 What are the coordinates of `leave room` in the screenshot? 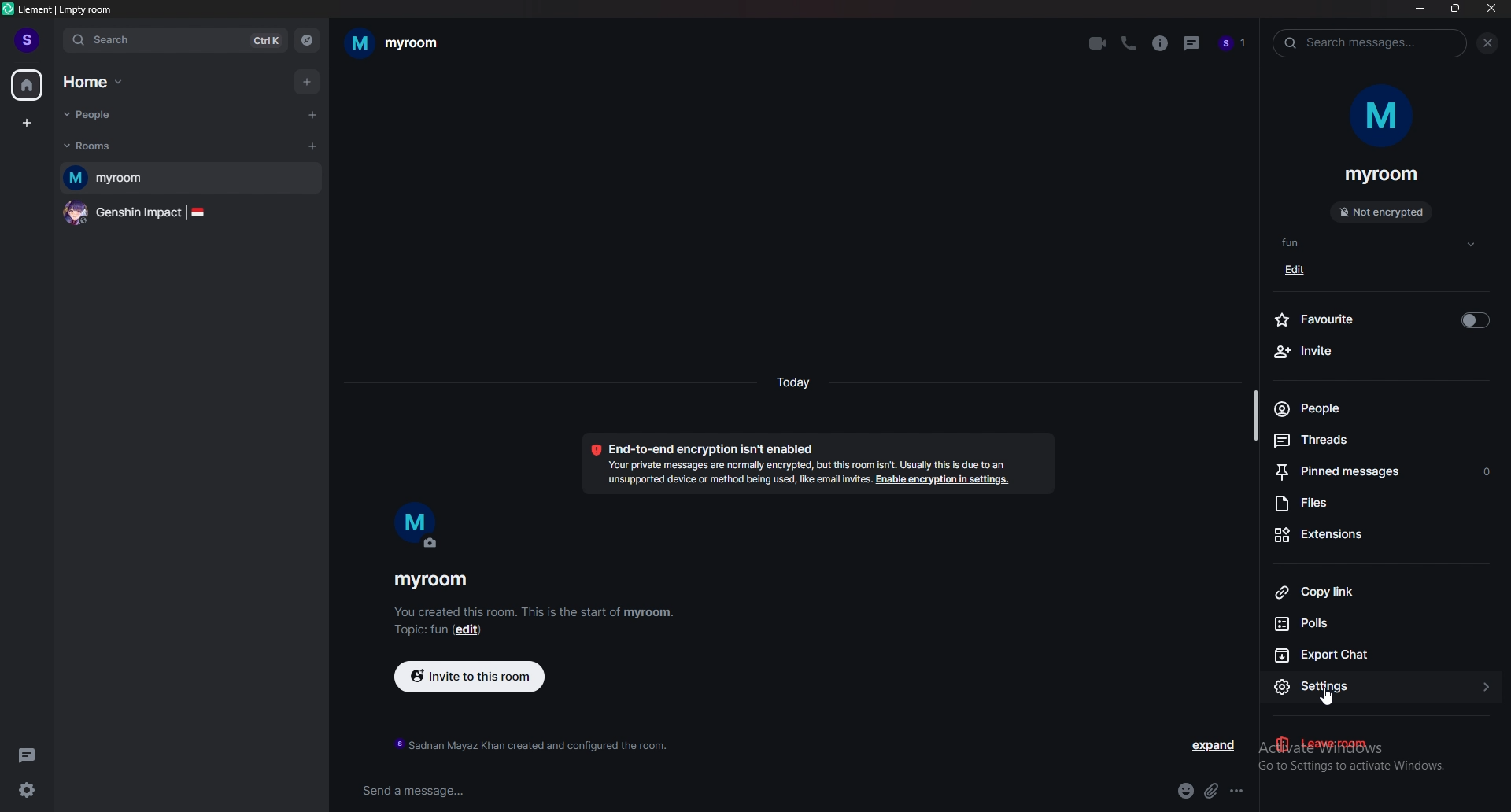 It's located at (1376, 744).